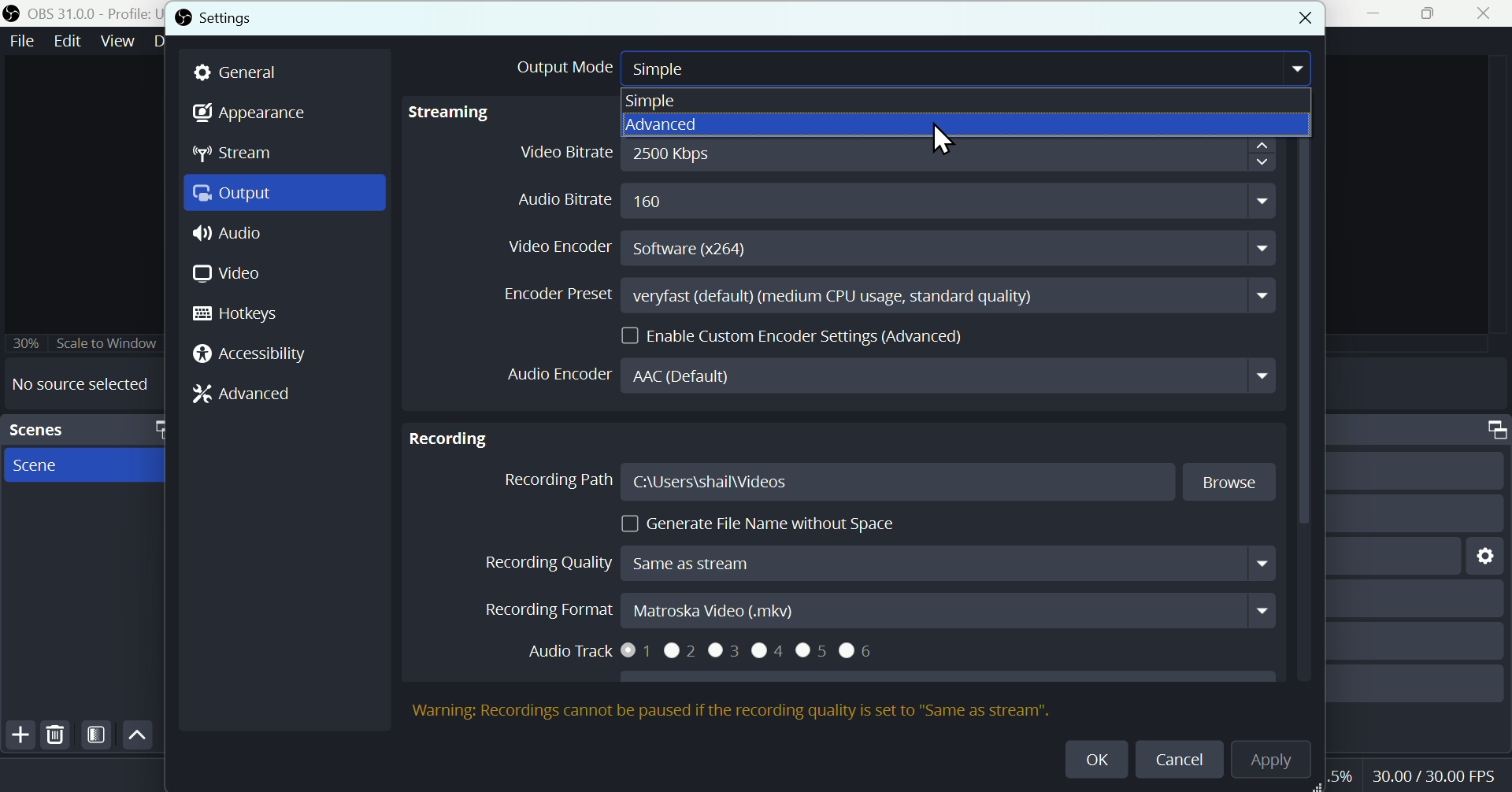  What do you see at coordinates (239, 74) in the screenshot?
I see `General` at bounding box center [239, 74].